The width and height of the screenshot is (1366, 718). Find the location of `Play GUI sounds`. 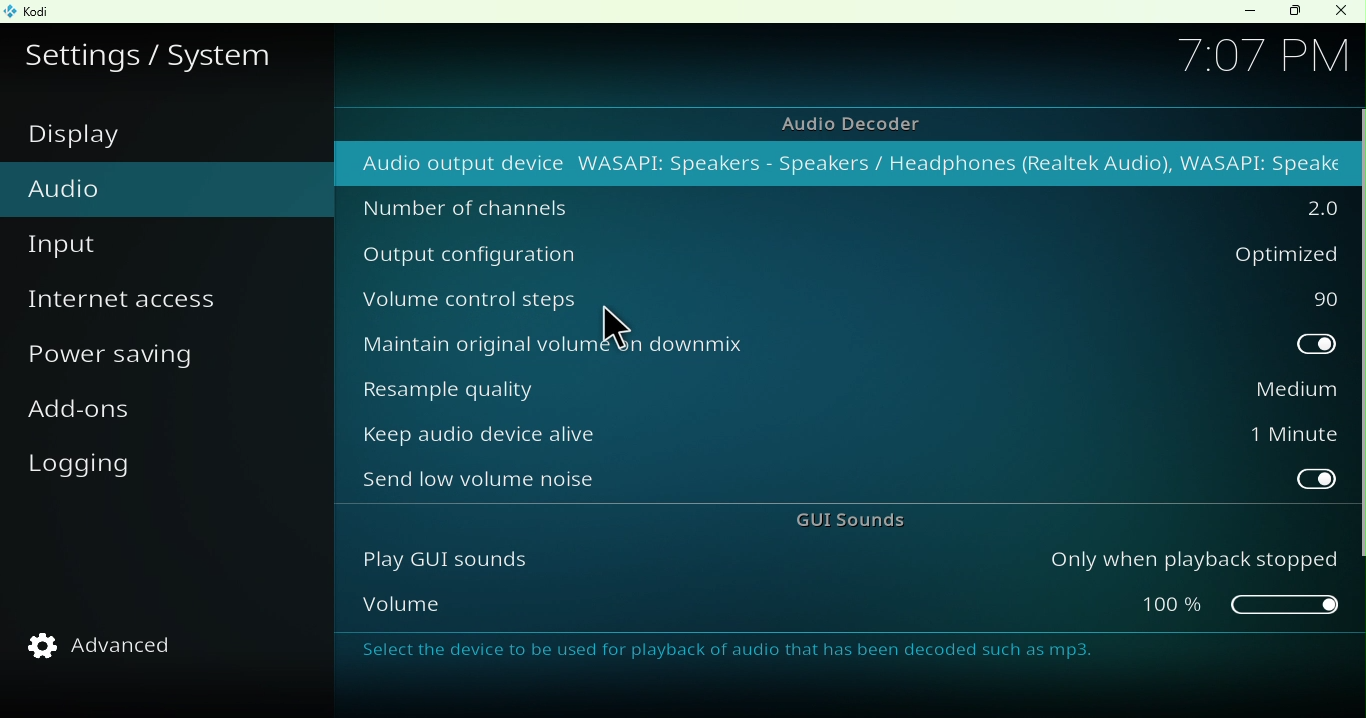

Play GUI sounds is located at coordinates (694, 563).